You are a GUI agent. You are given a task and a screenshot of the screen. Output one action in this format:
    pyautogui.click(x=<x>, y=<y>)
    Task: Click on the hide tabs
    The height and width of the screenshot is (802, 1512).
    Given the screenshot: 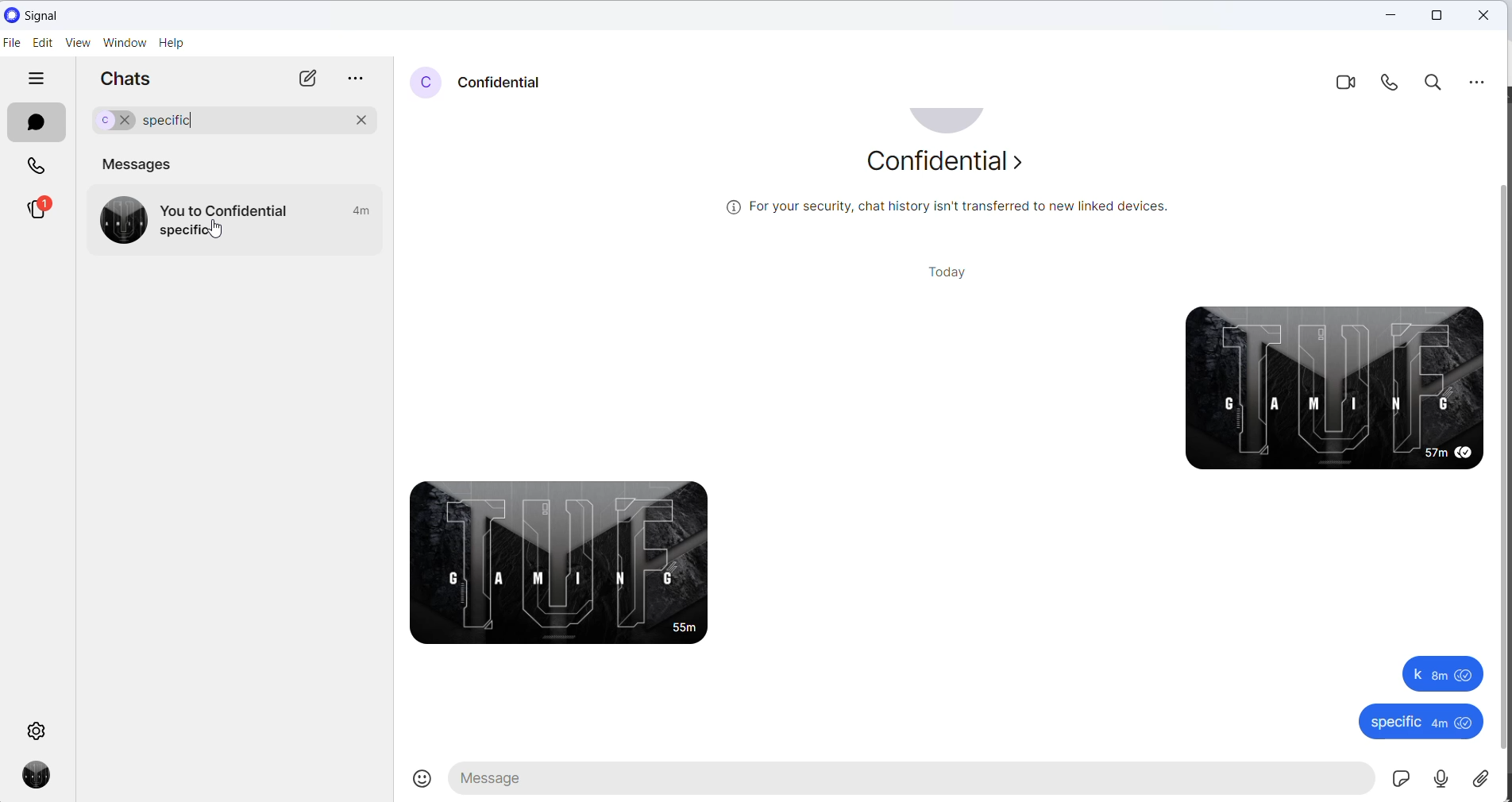 What is the action you would take?
    pyautogui.click(x=36, y=77)
    